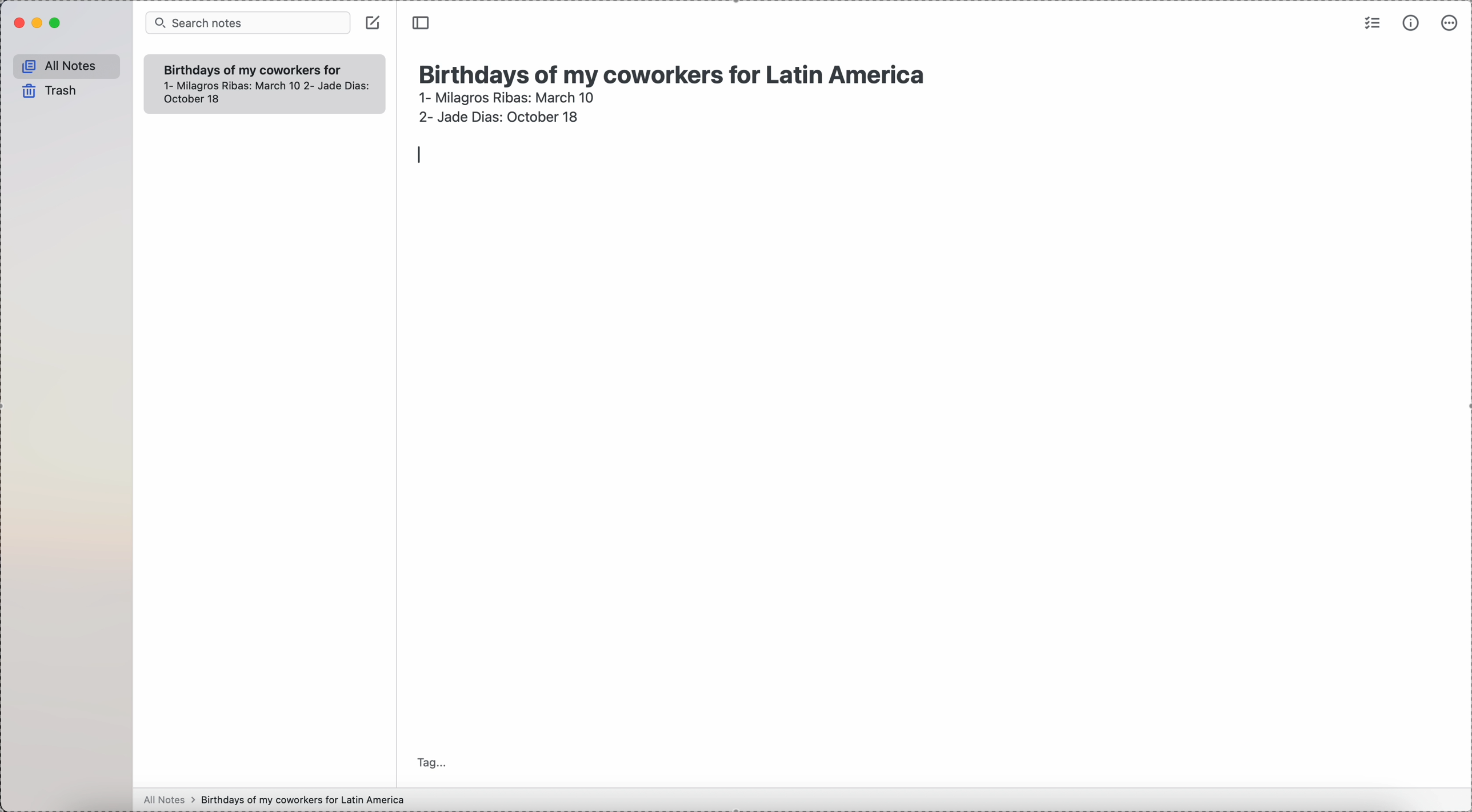 This screenshot has height=812, width=1472. Describe the element at coordinates (18, 23) in the screenshot. I see `close Simplenote` at that location.